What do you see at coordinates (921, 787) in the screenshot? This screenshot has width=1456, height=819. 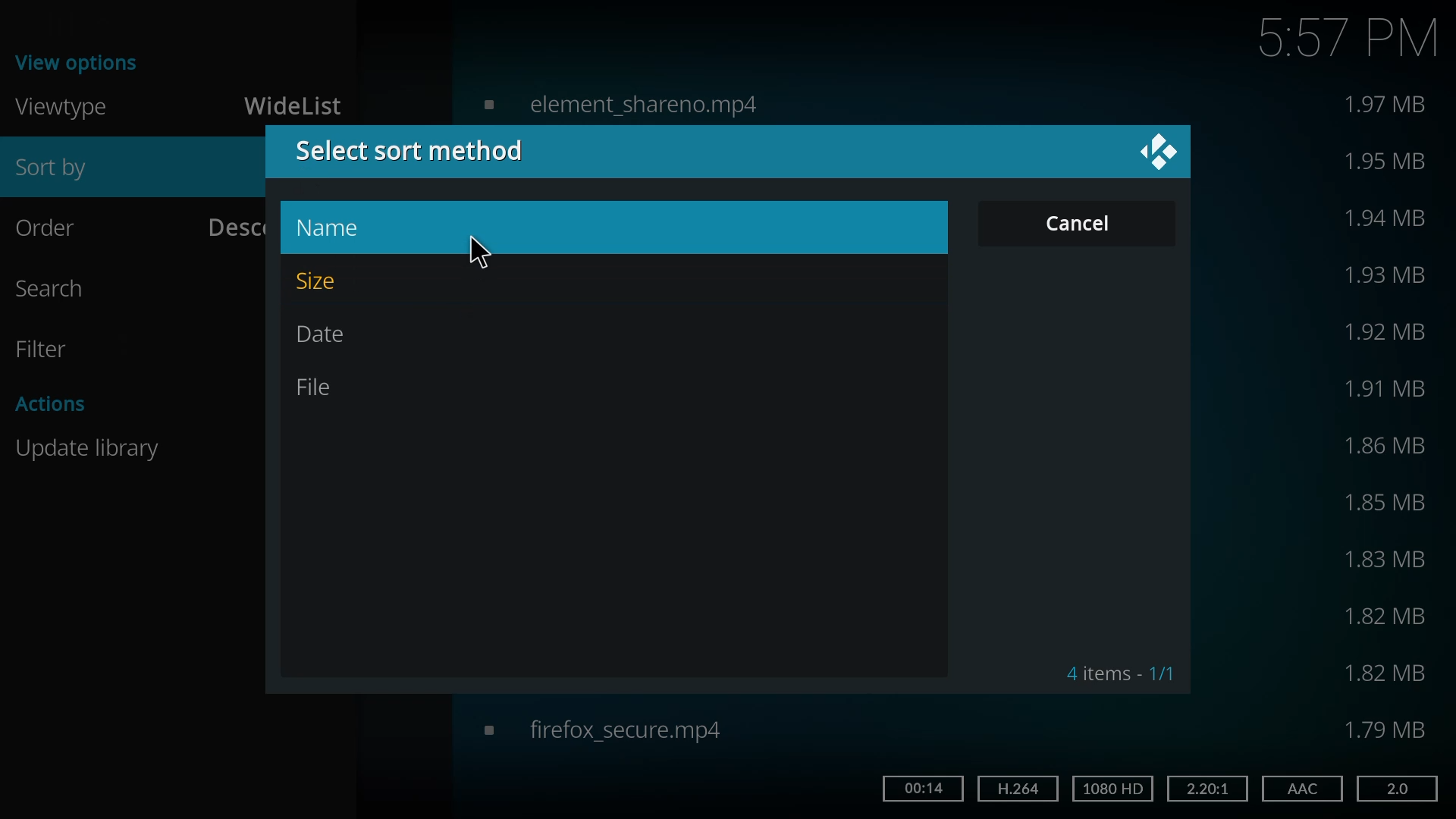 I see `14` at bounding box center [921, 787].